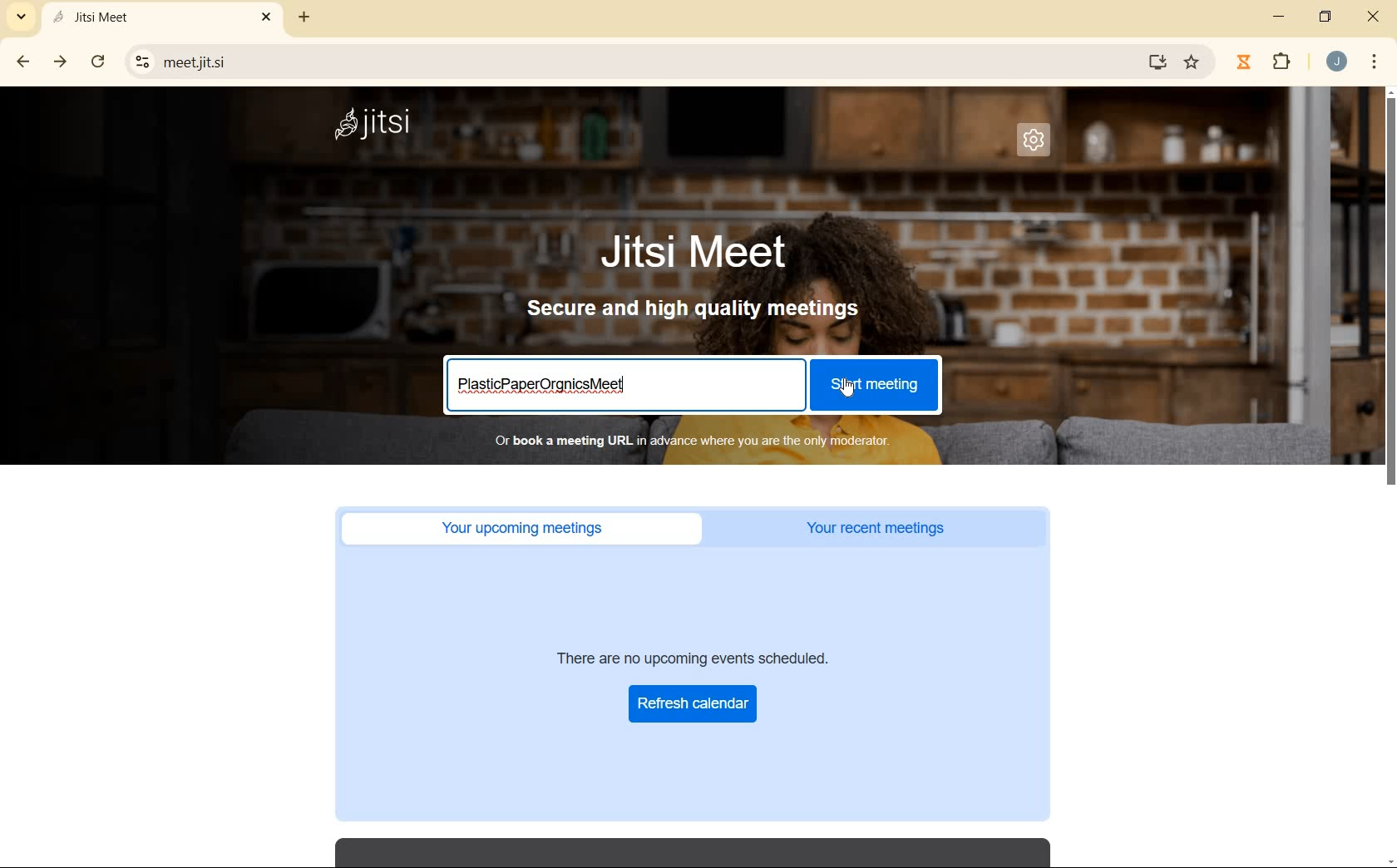  Describe the element at coordinates (143, 61) in the screenshot. I see `View site information` at that location.